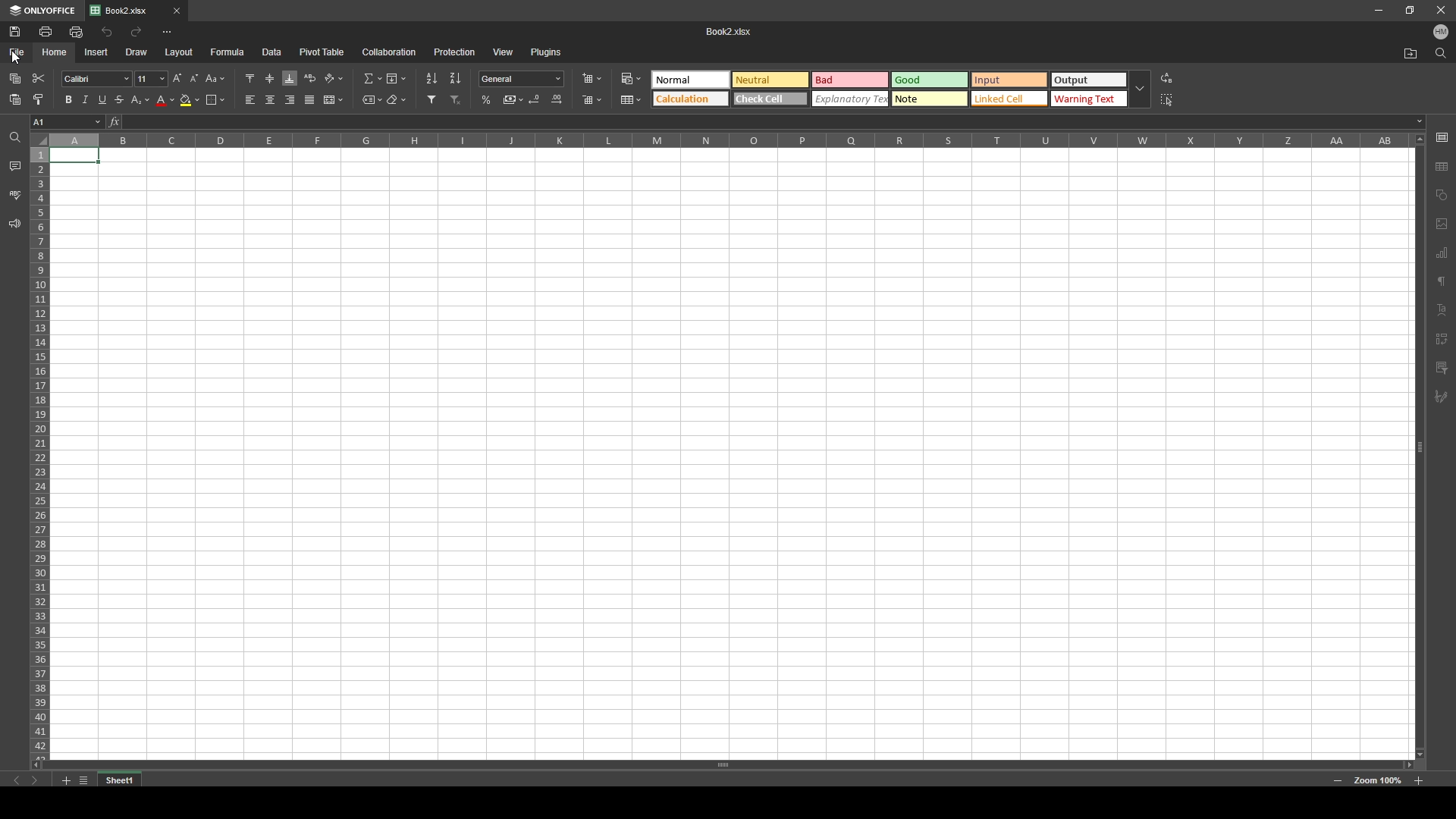 Image resolution: width=1456 pixels, height=819 pixels. I want to click on case size, so click(149, 79).